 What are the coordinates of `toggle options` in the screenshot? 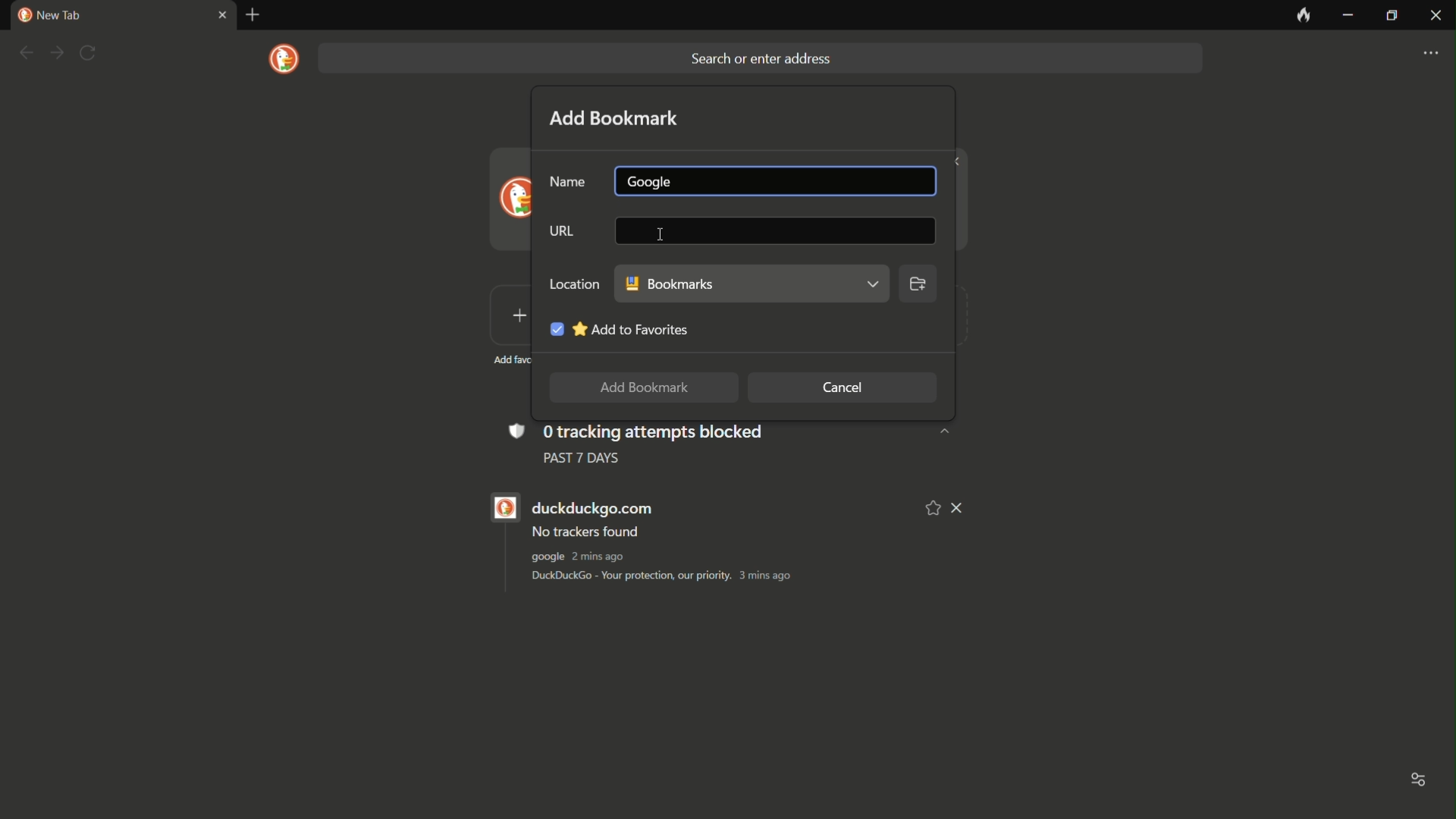 It's located at (1419, 782).